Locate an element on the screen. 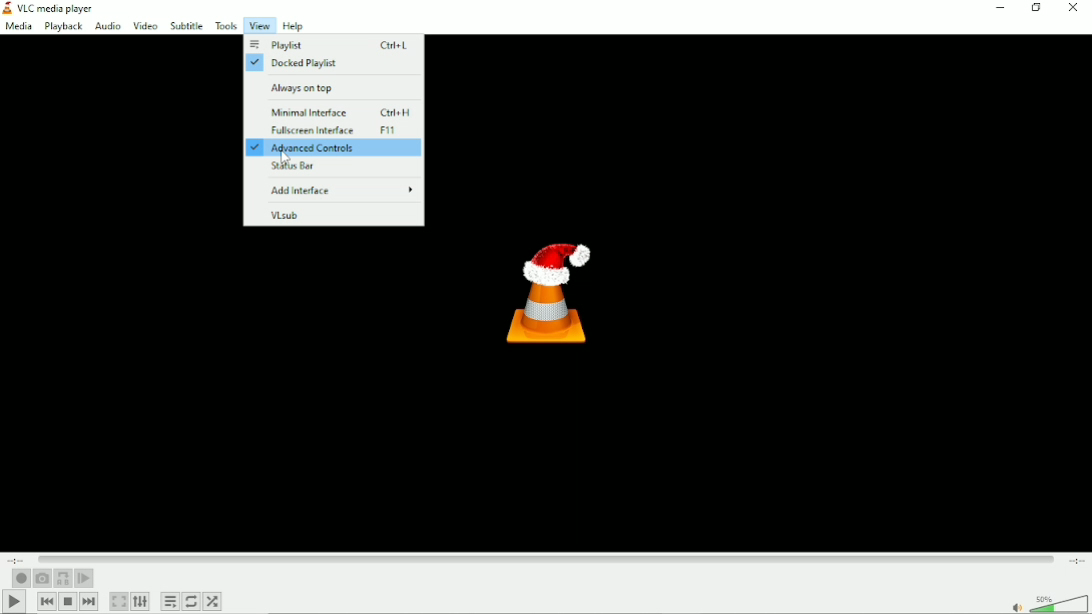 This screenshot has height=614, width=1092. take a snapshot is located at coordinates (42, 578).